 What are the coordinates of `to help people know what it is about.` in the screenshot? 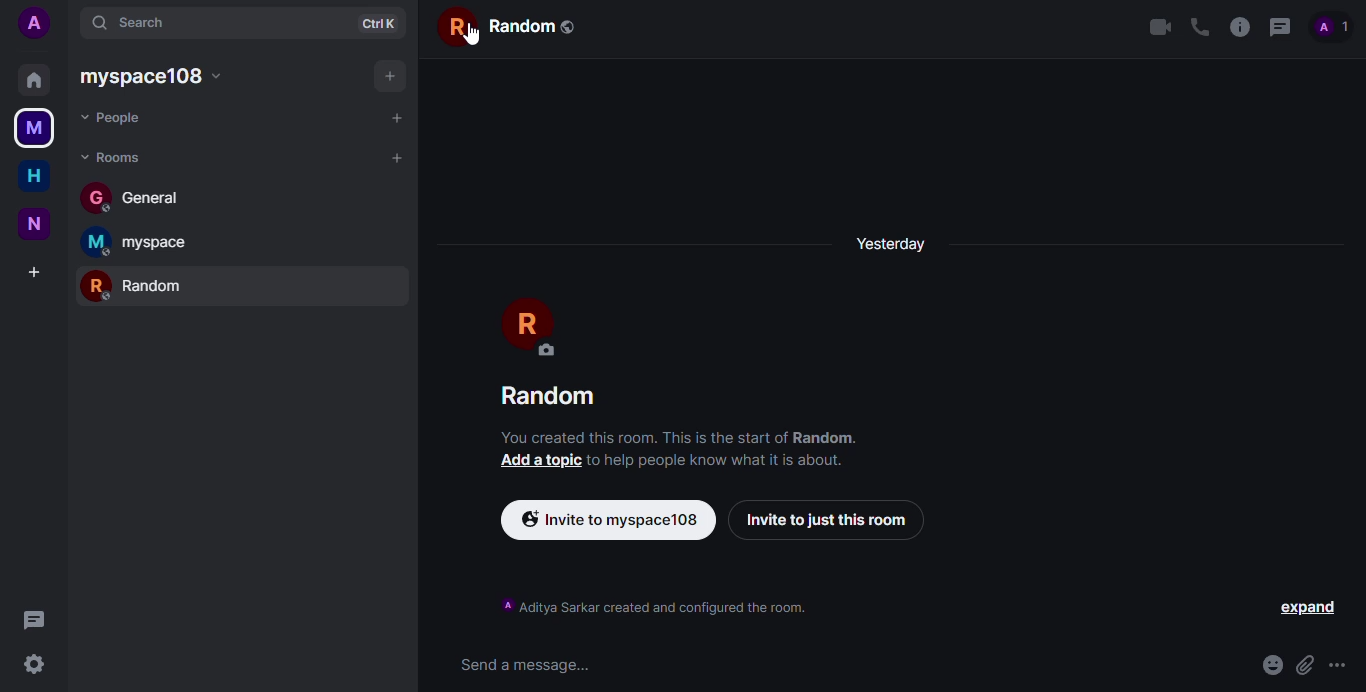 It's located at (717, 459).